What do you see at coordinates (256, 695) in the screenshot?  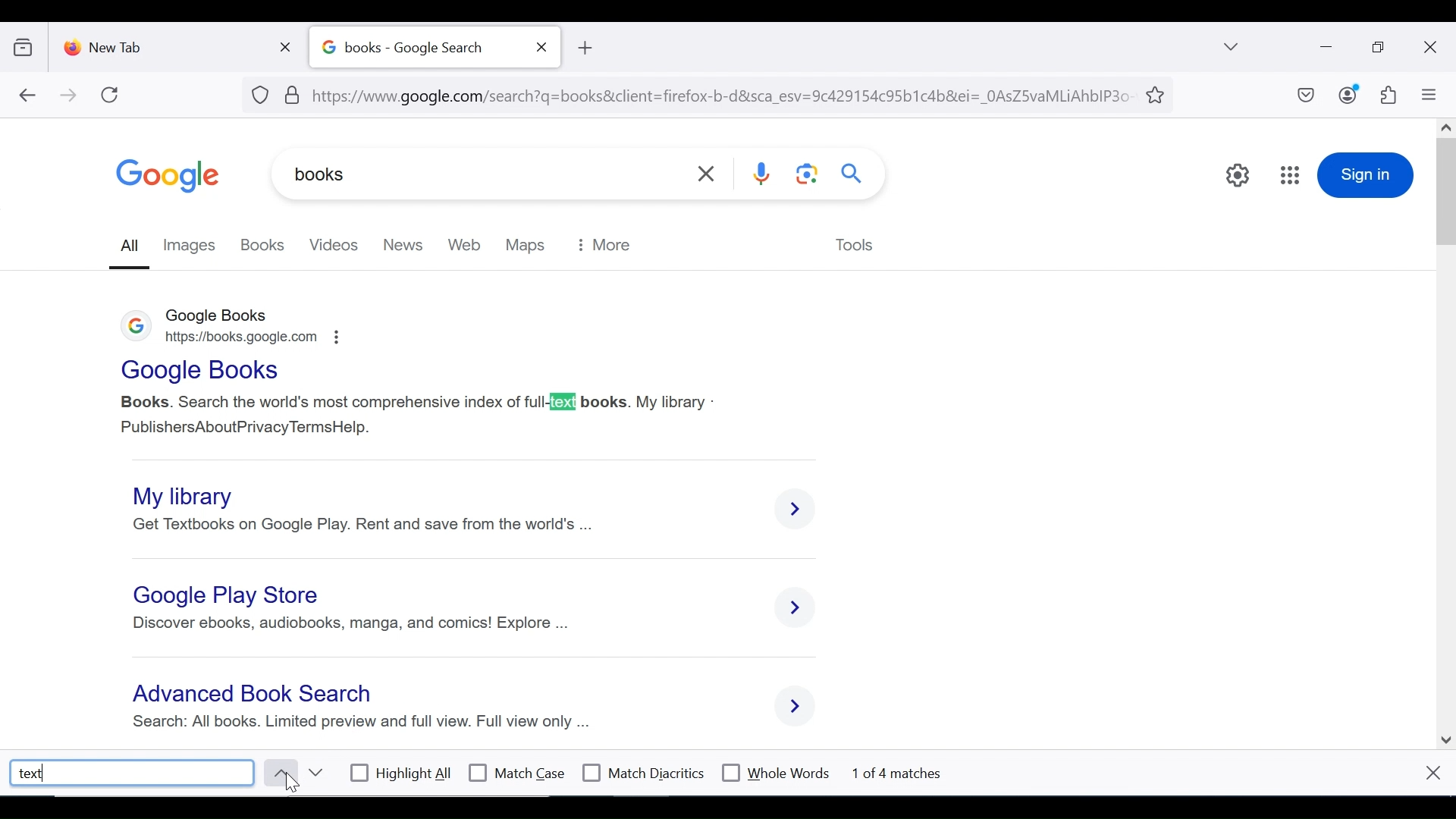 I see `Advanced BooK search` at bounding box center [256, 695].